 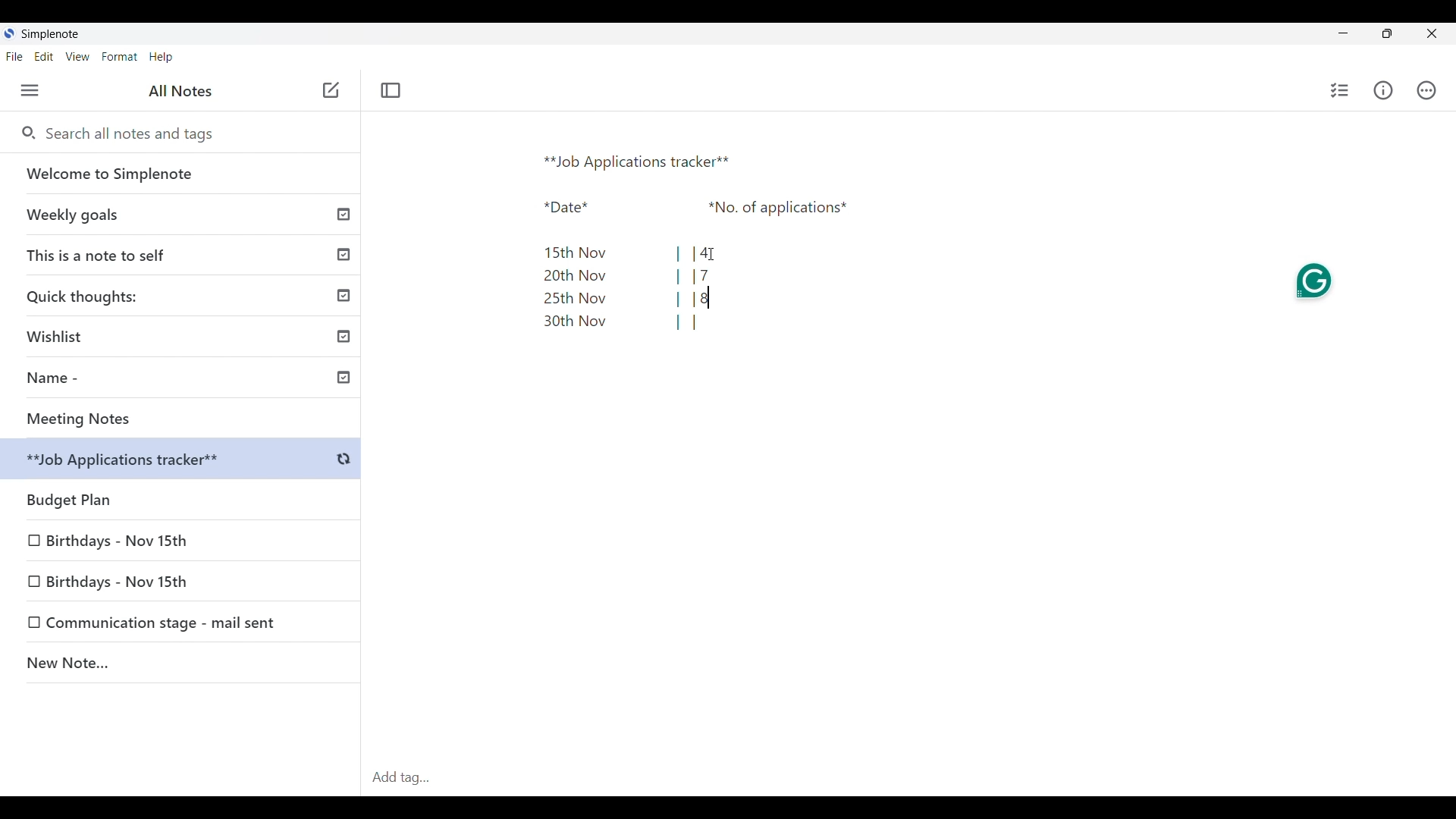 I want to click on Birthdays - Nov 15th, so click(x=146, y=579).